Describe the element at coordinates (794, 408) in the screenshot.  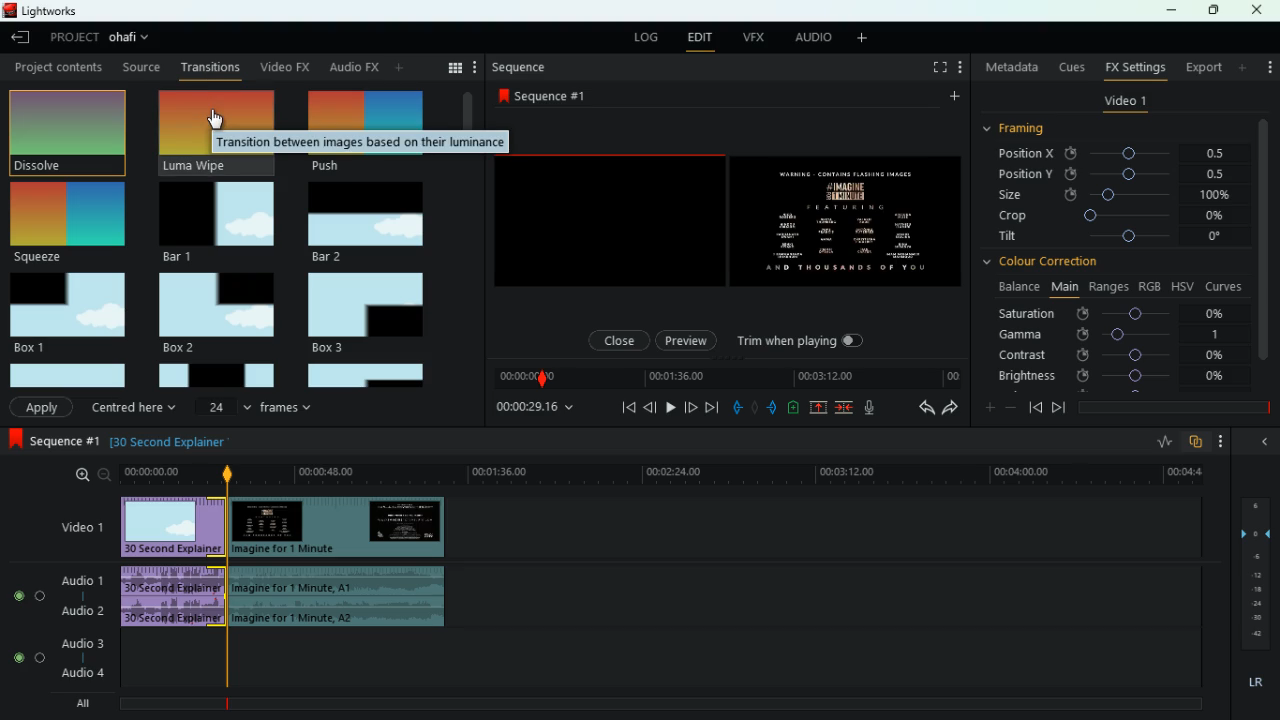
I see `charge` at that location.